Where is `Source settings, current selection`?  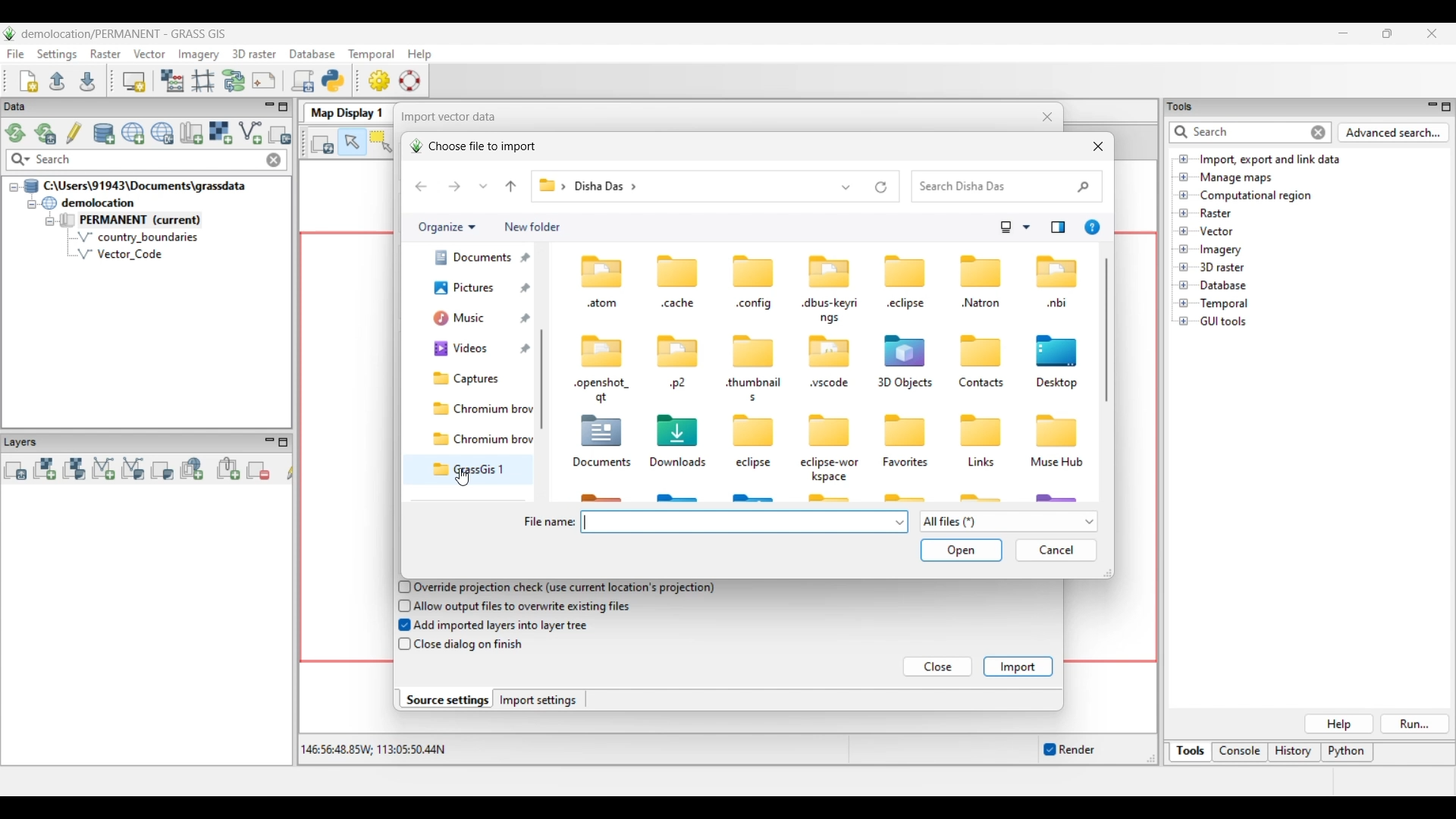
Source settings, current selection is located at coordinates (446, 699).